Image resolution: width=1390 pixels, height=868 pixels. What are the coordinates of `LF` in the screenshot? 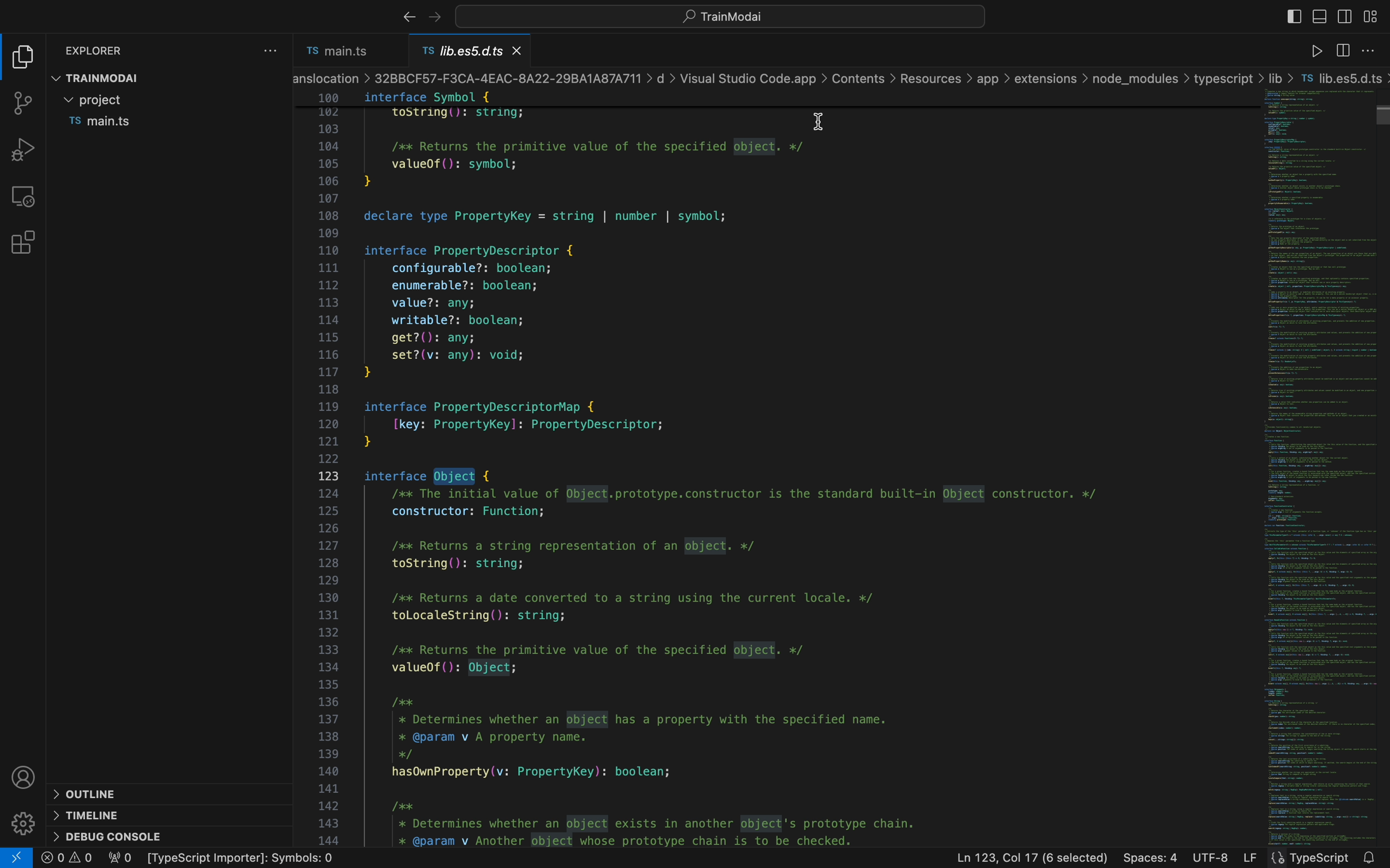 It's located at (1255, 858).